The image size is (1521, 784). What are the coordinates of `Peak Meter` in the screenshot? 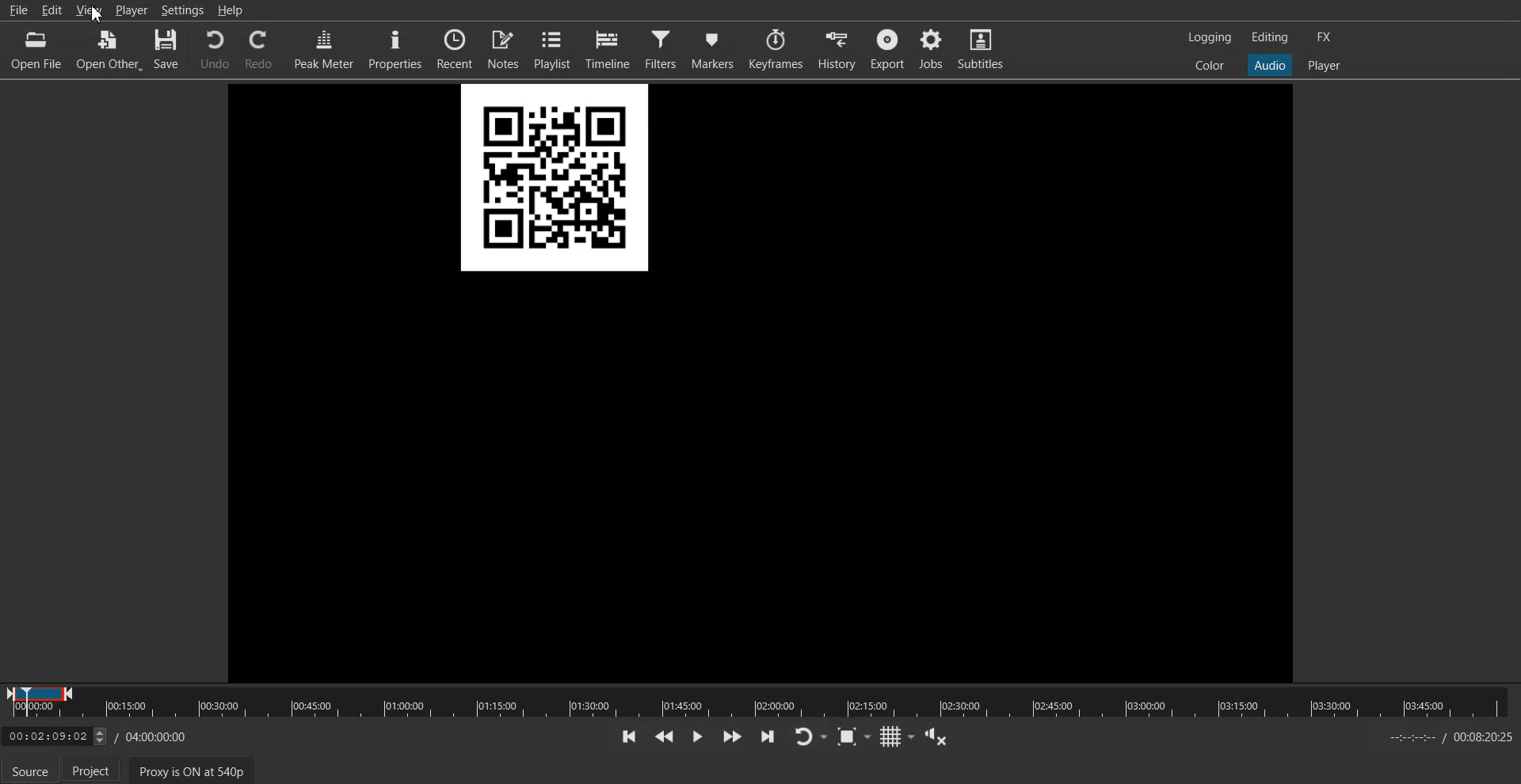 It's located at (322, 50).